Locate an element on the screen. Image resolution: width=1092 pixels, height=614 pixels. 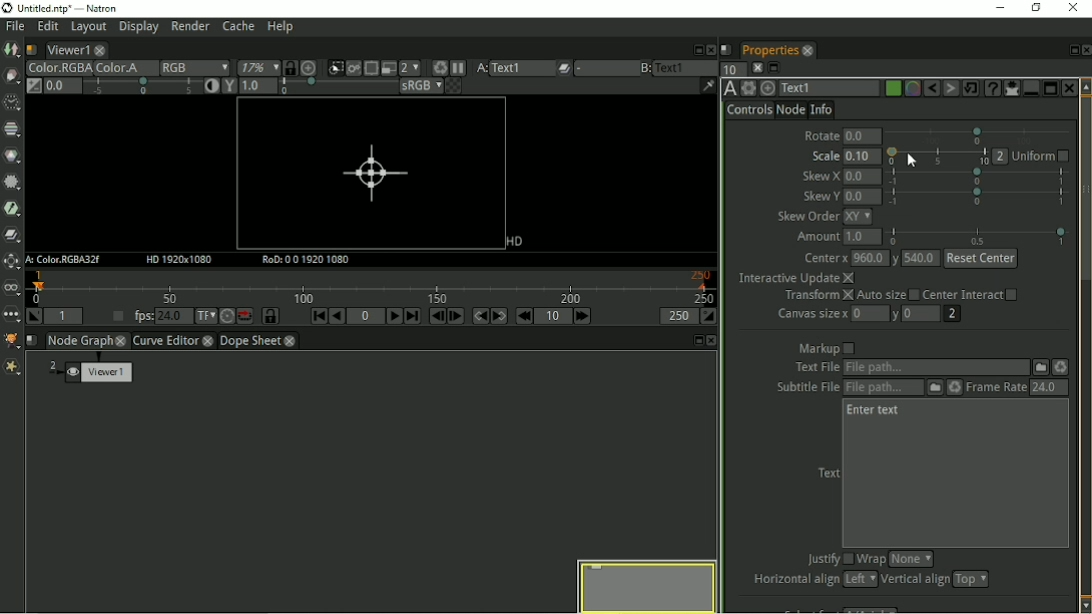
Vertical scrollbar is located at coordinates (1085, 194).